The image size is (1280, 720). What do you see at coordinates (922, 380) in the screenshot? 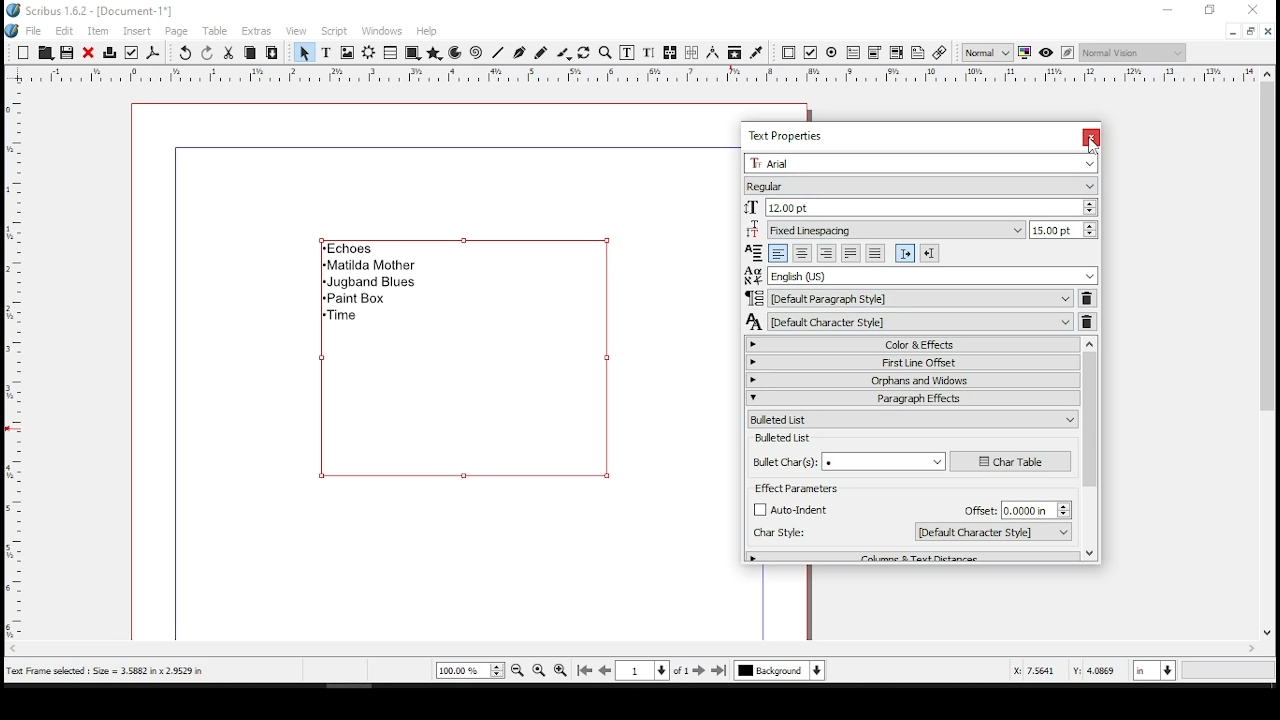
I see `orphans and windows` at bounding box center [922, 380].